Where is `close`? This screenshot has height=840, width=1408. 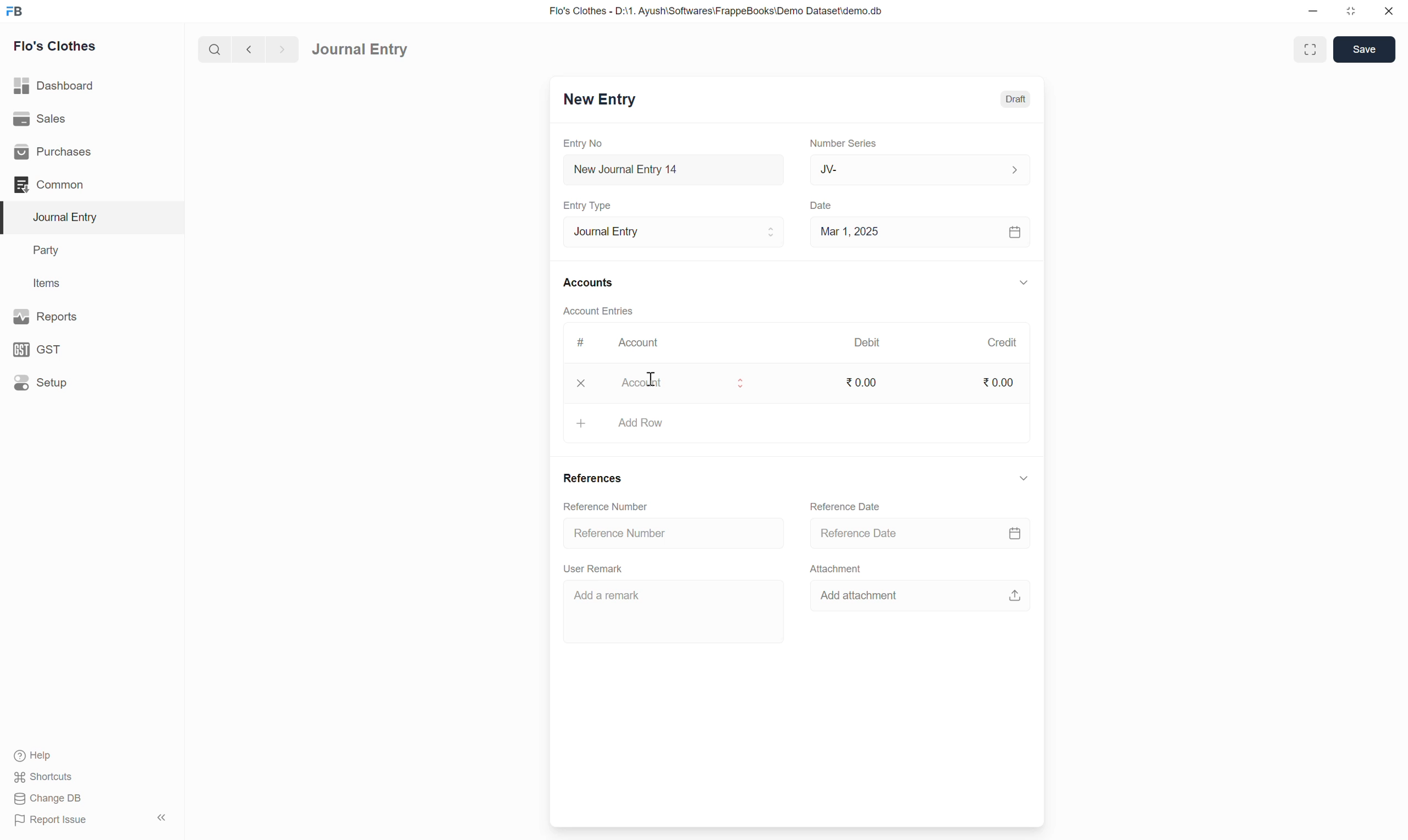 close is located at coordinates (1389, 11).